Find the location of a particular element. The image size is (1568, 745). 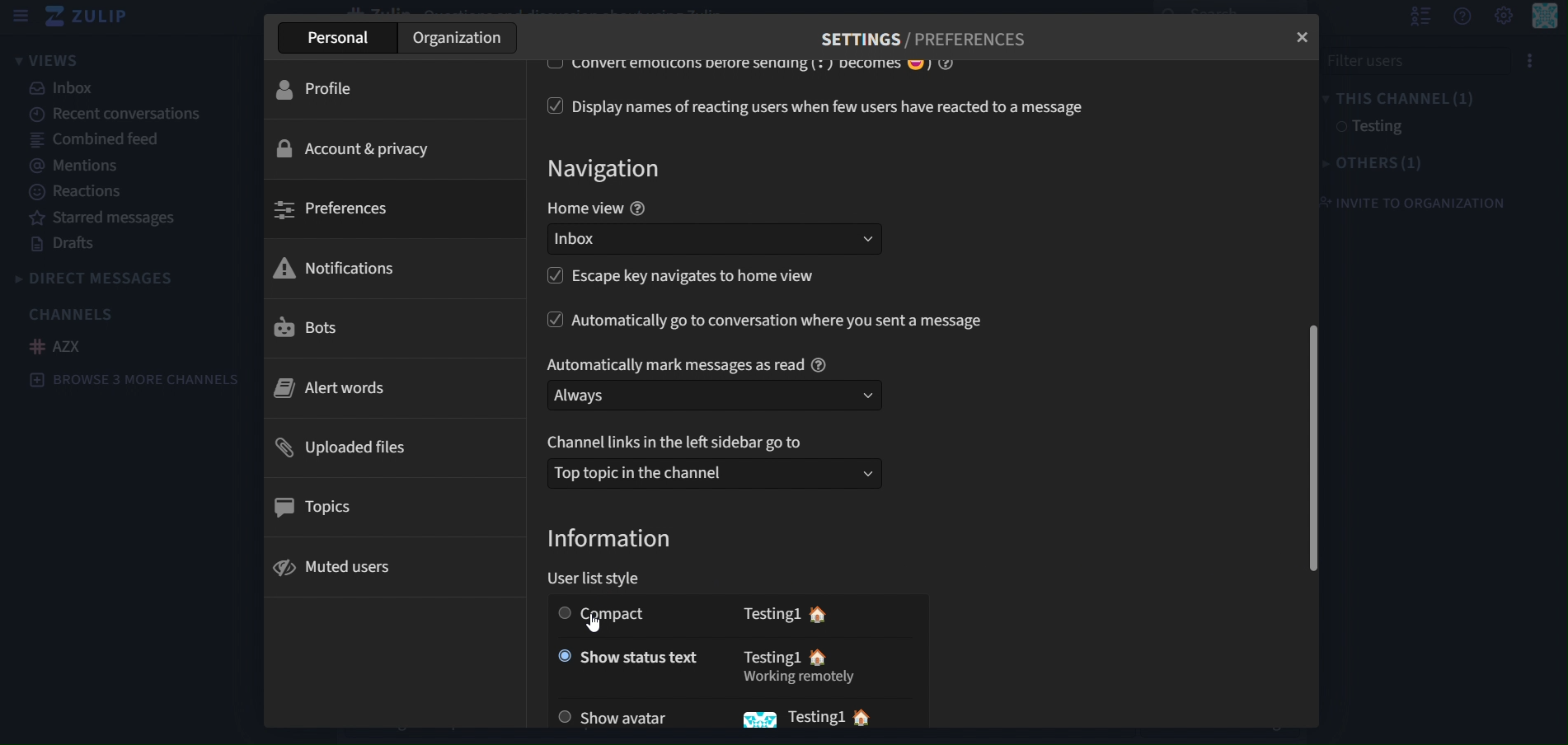

Testing 1 is located at coordinates (816, 716).